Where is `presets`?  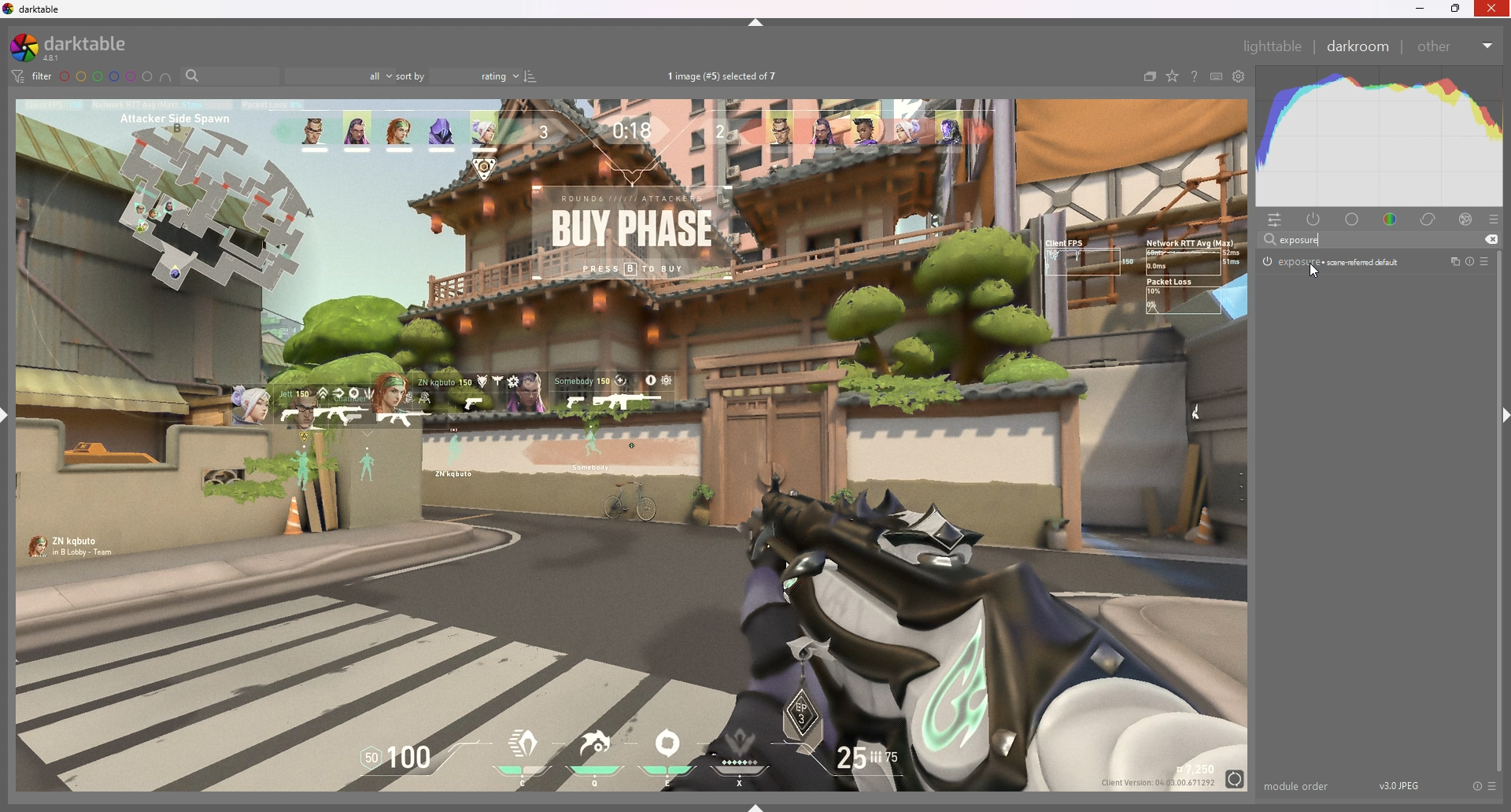 presets is located at coordinates (1494, 787).